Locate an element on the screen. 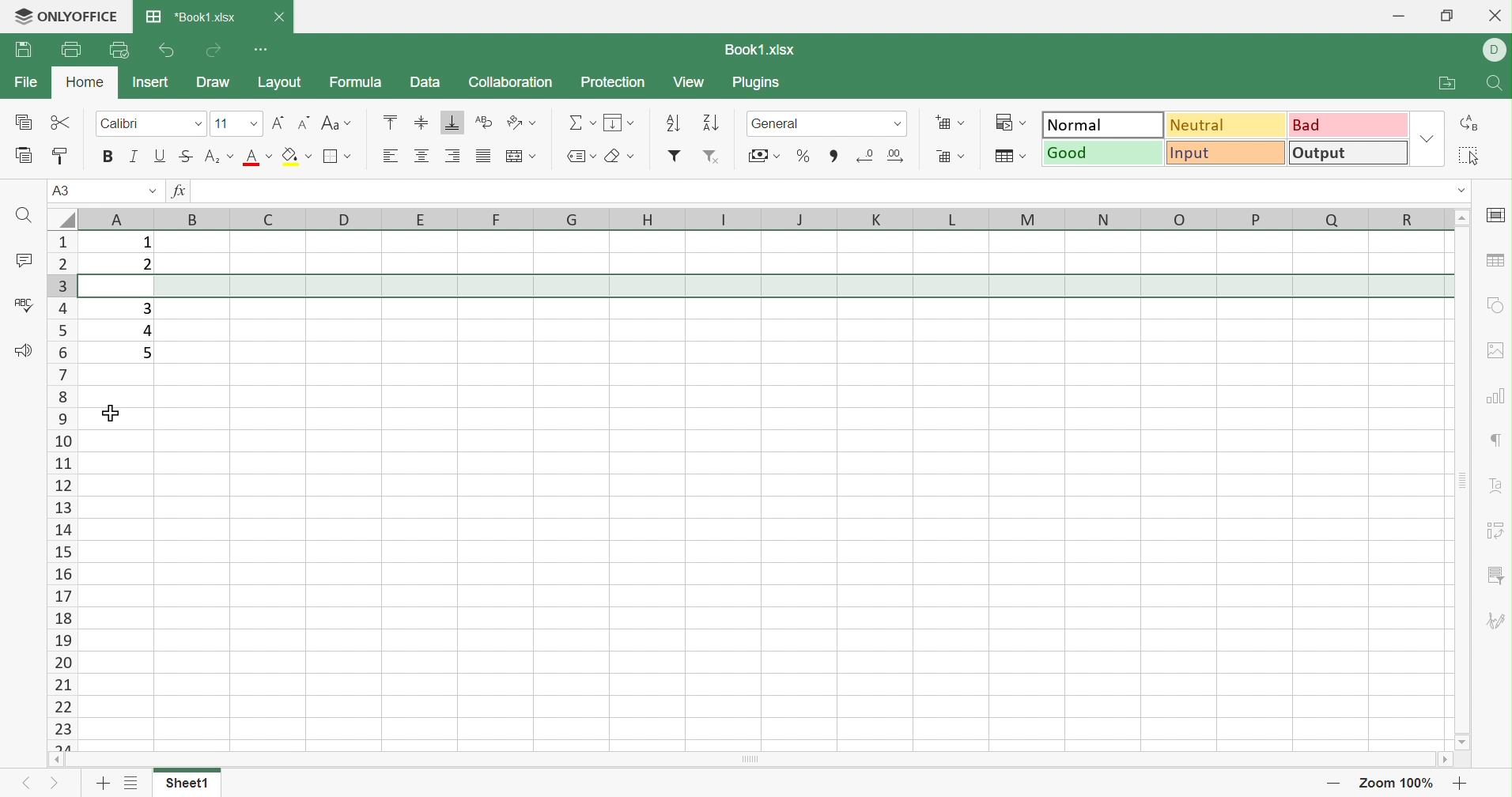 The height and width of the screenshot is (797, 1512). Percentage style is located at coordinates (804, 156).